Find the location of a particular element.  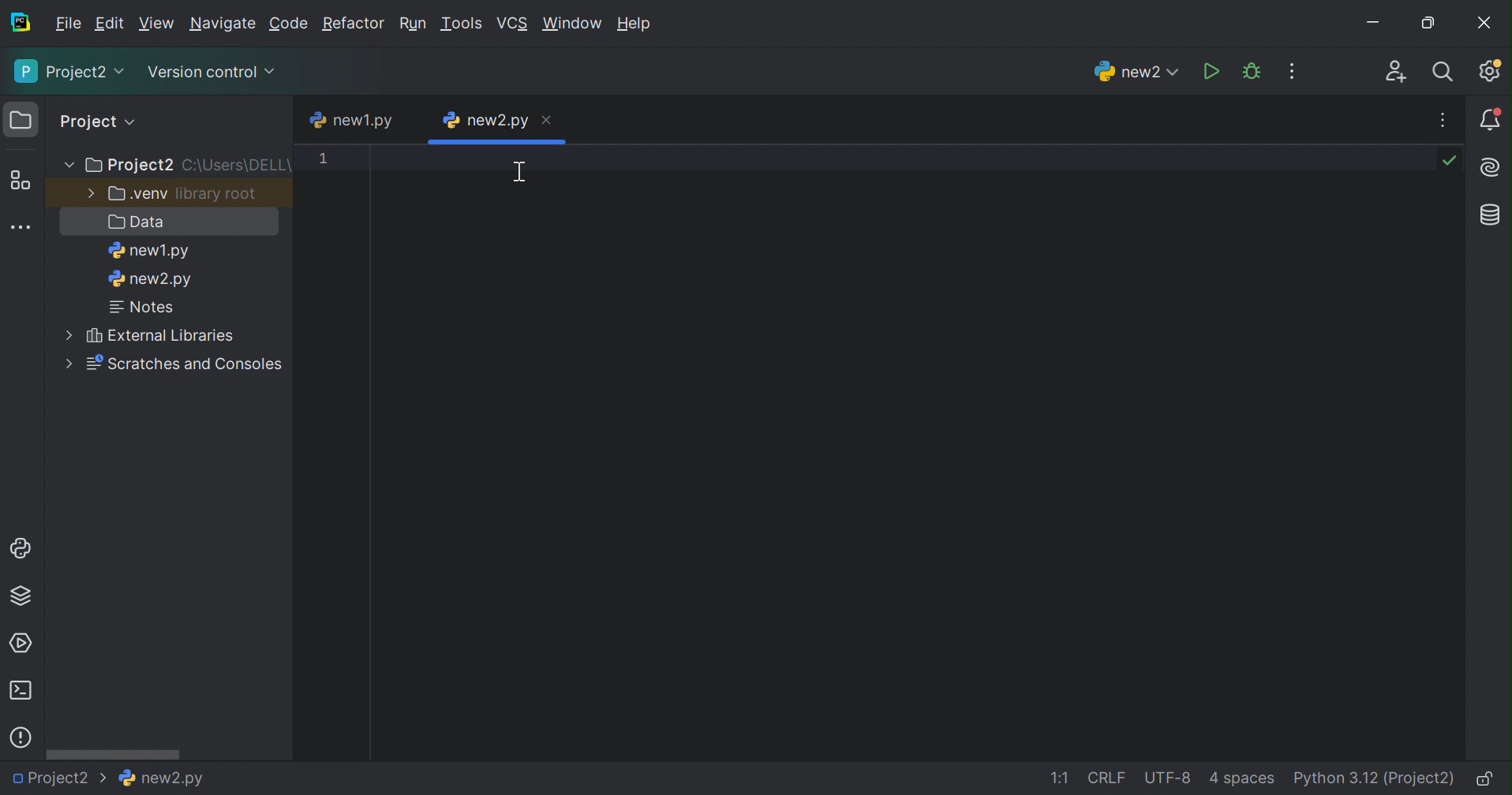

Make file read-only is located at coordinates (1490, 779).